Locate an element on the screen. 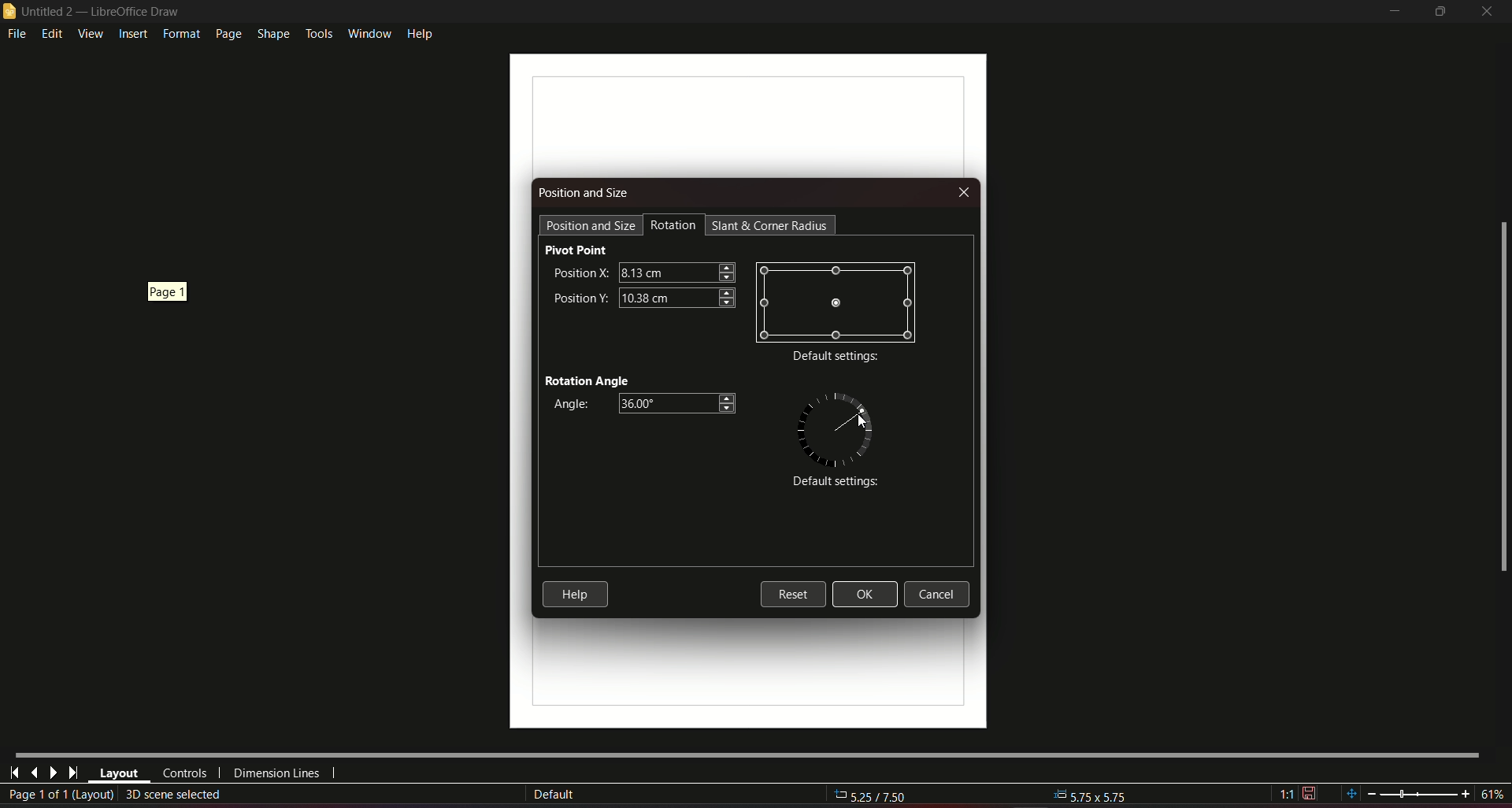 Image resolution: width=1512 pixels, height=808 pixels. next page is located at coordinates (53, 773).